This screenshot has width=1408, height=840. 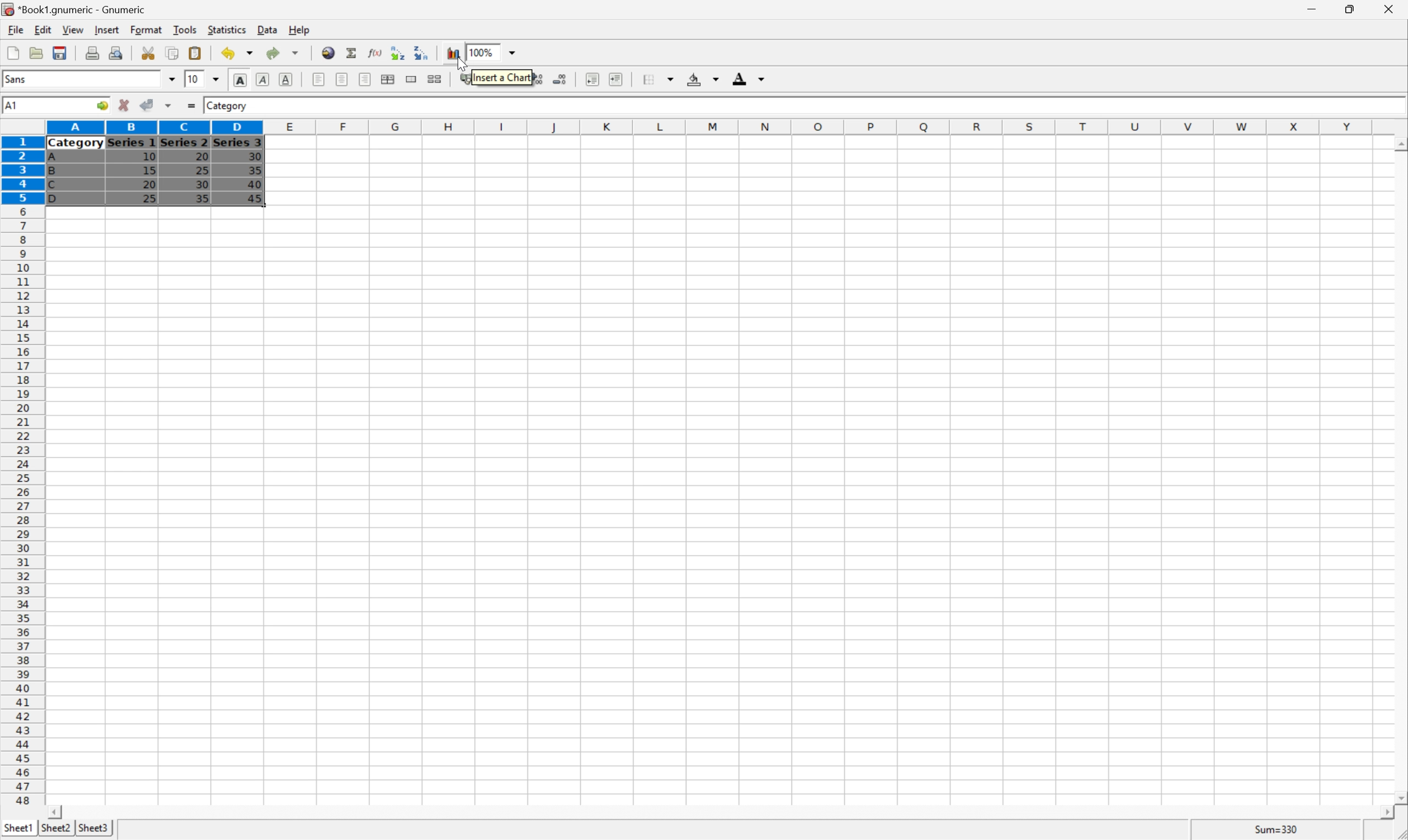 I want to click on 10, so click(x=149, y=157).